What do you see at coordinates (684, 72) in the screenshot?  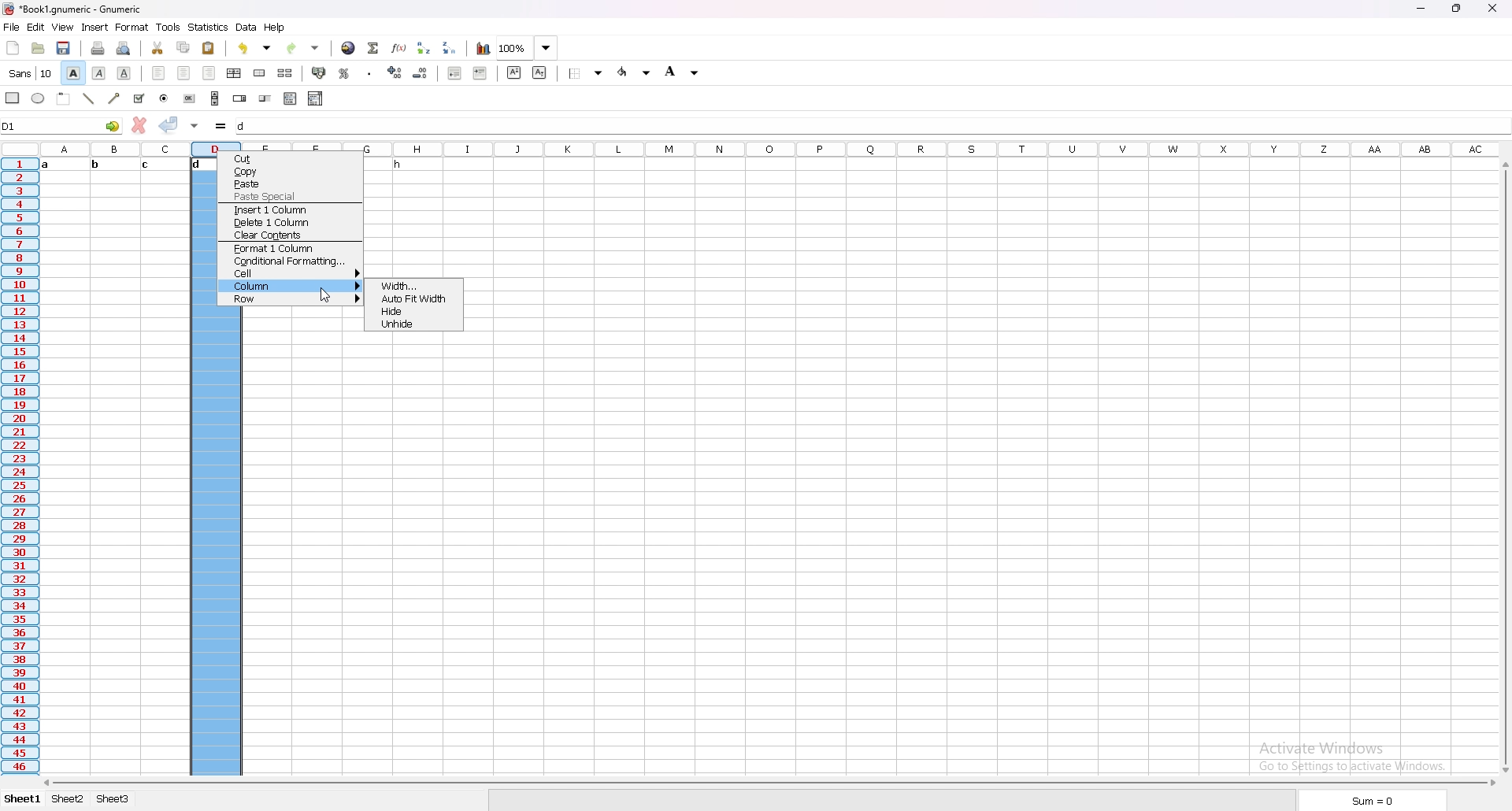 I see `background` at bounding box center [684, 72].